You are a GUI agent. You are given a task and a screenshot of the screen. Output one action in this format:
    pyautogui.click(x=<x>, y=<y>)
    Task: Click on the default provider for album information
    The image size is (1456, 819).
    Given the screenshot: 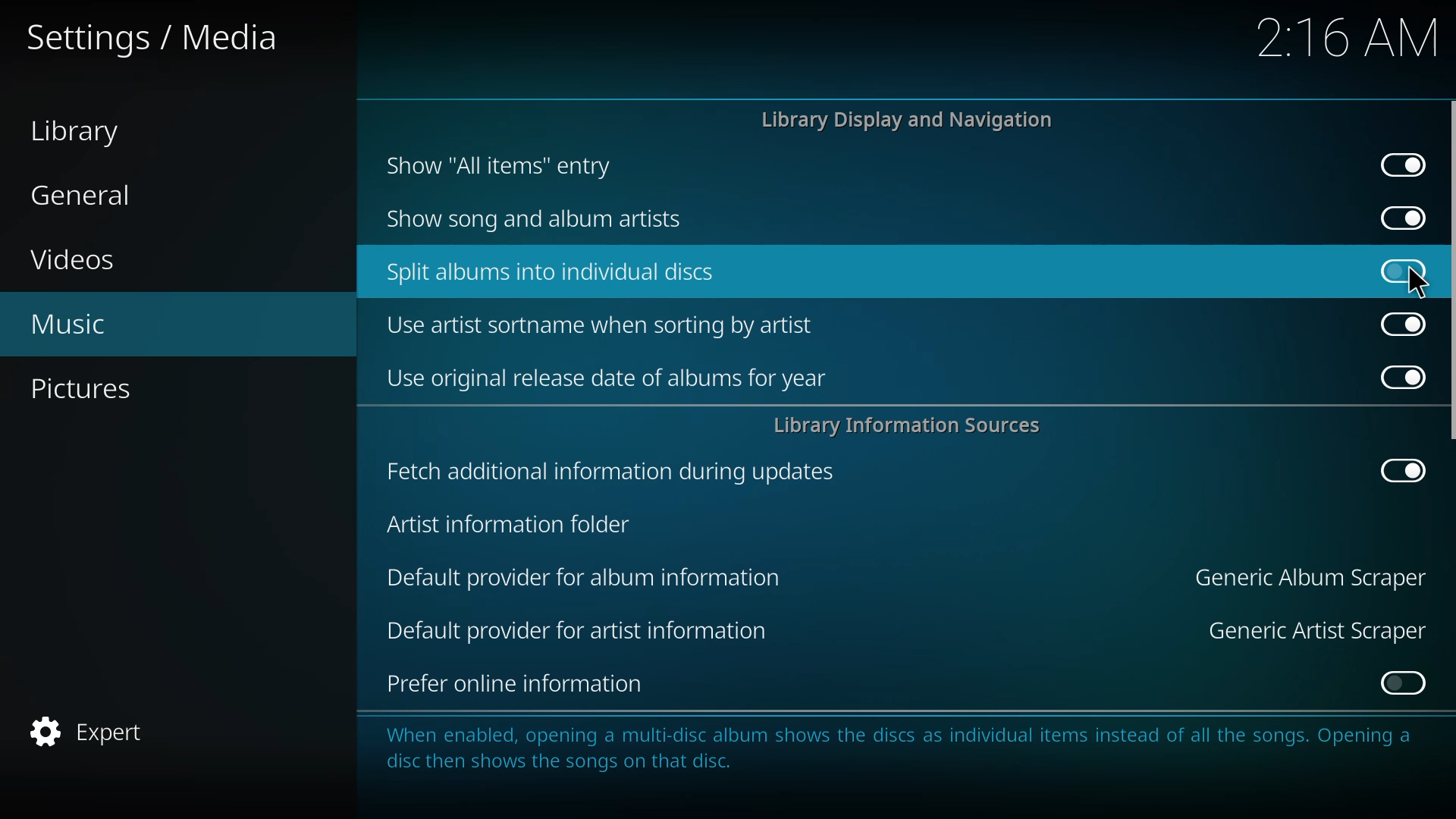 What is the action you would take?
    pyautogui.click(x=585, y=577)
    